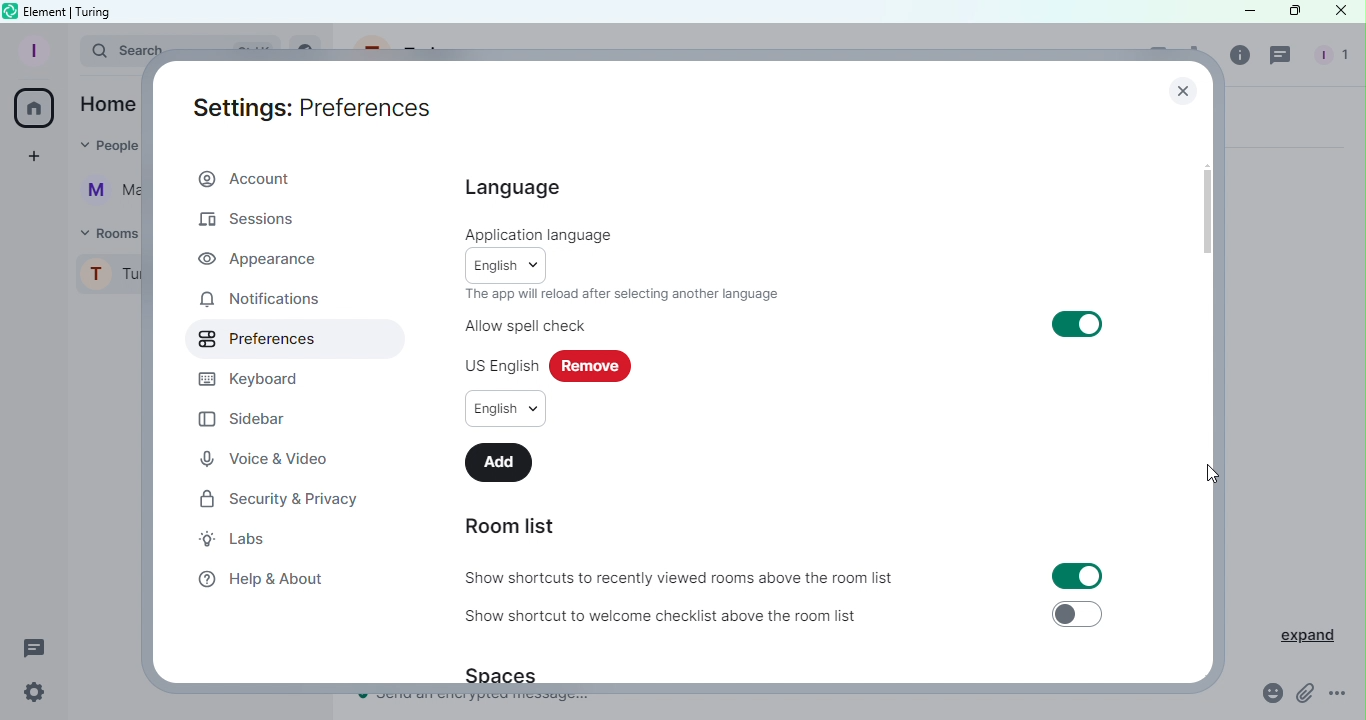 The width and height of the screenshot is (1366, 720). Describe the element at coordinates (35, 696) in the screenshot. I see `Quick settings` at that location.